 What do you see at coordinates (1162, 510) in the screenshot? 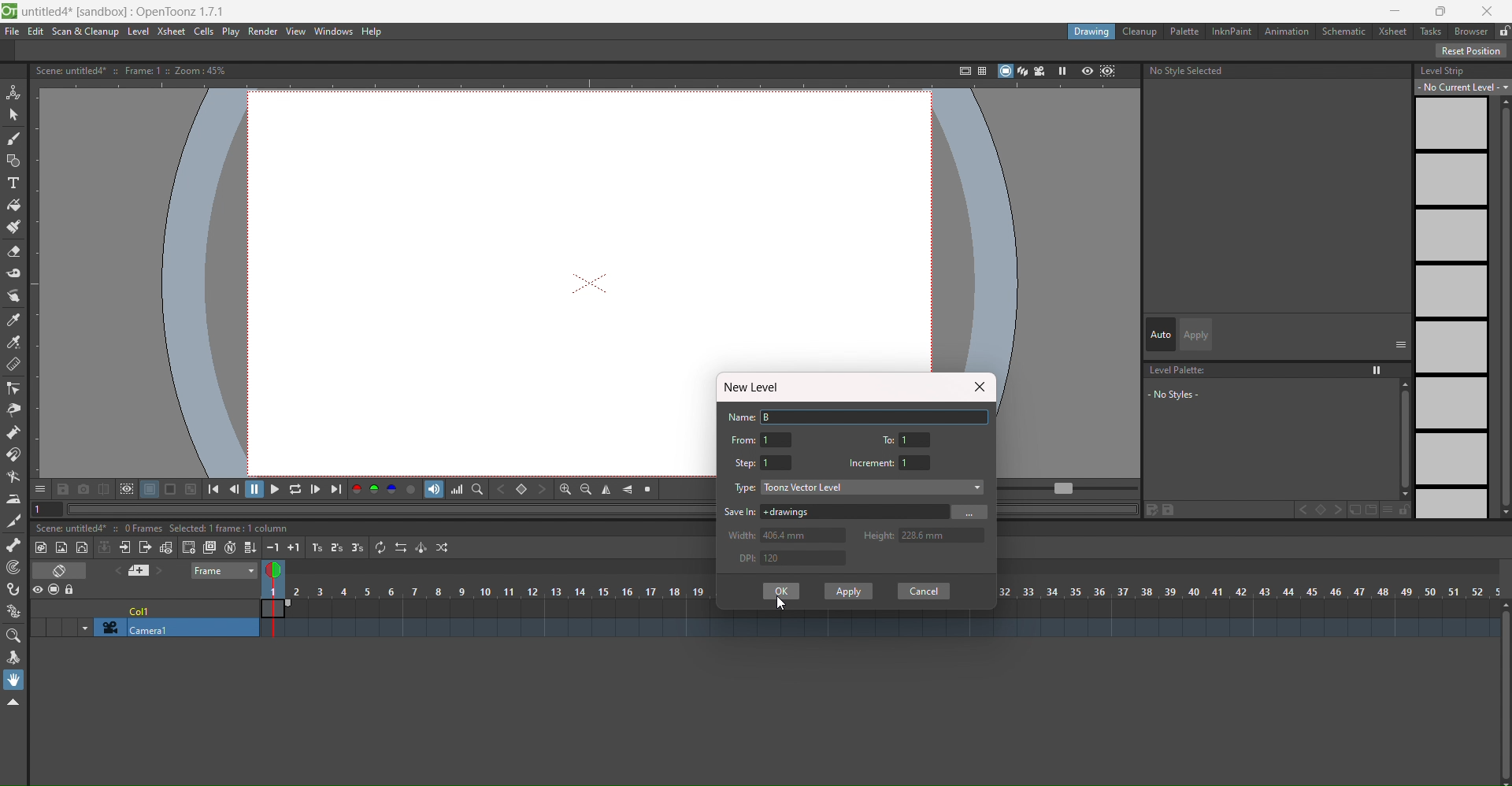
I see `edit` at bounding box center [1162, 510].